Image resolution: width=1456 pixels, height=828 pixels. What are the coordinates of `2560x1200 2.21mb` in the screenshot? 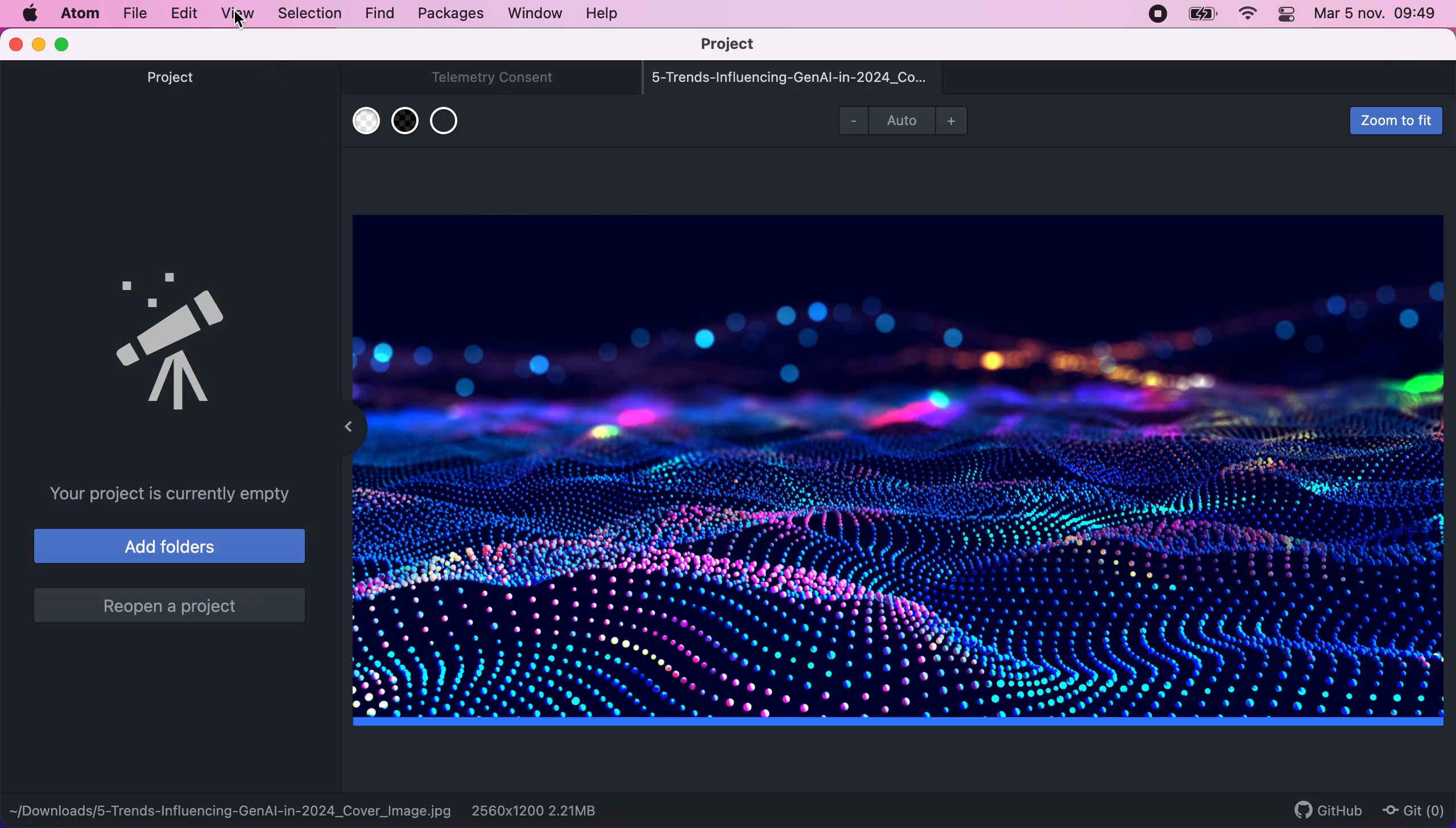 It's located at (545, 810).